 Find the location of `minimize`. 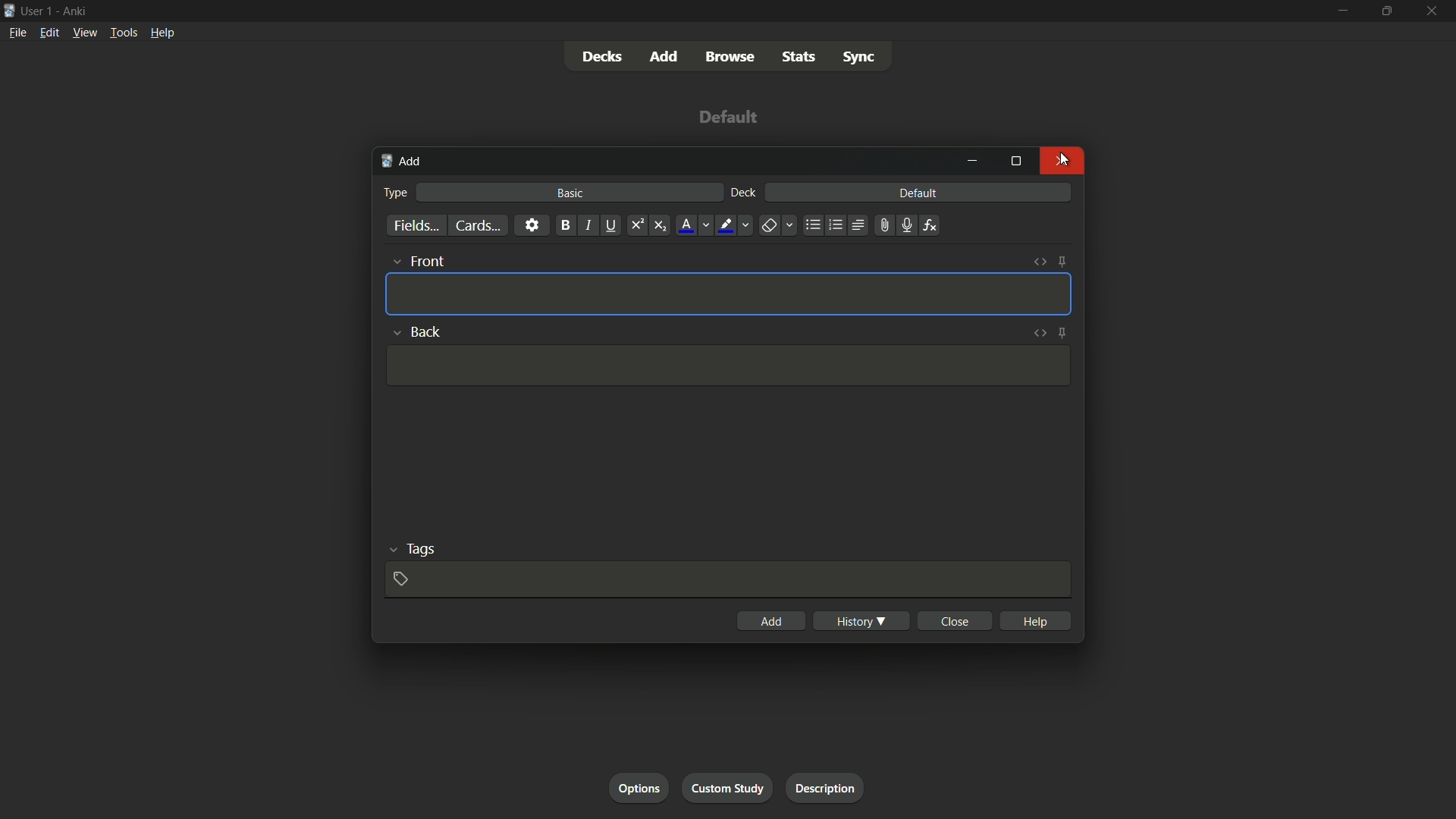

minimize is located at coordinates (1341, 11).